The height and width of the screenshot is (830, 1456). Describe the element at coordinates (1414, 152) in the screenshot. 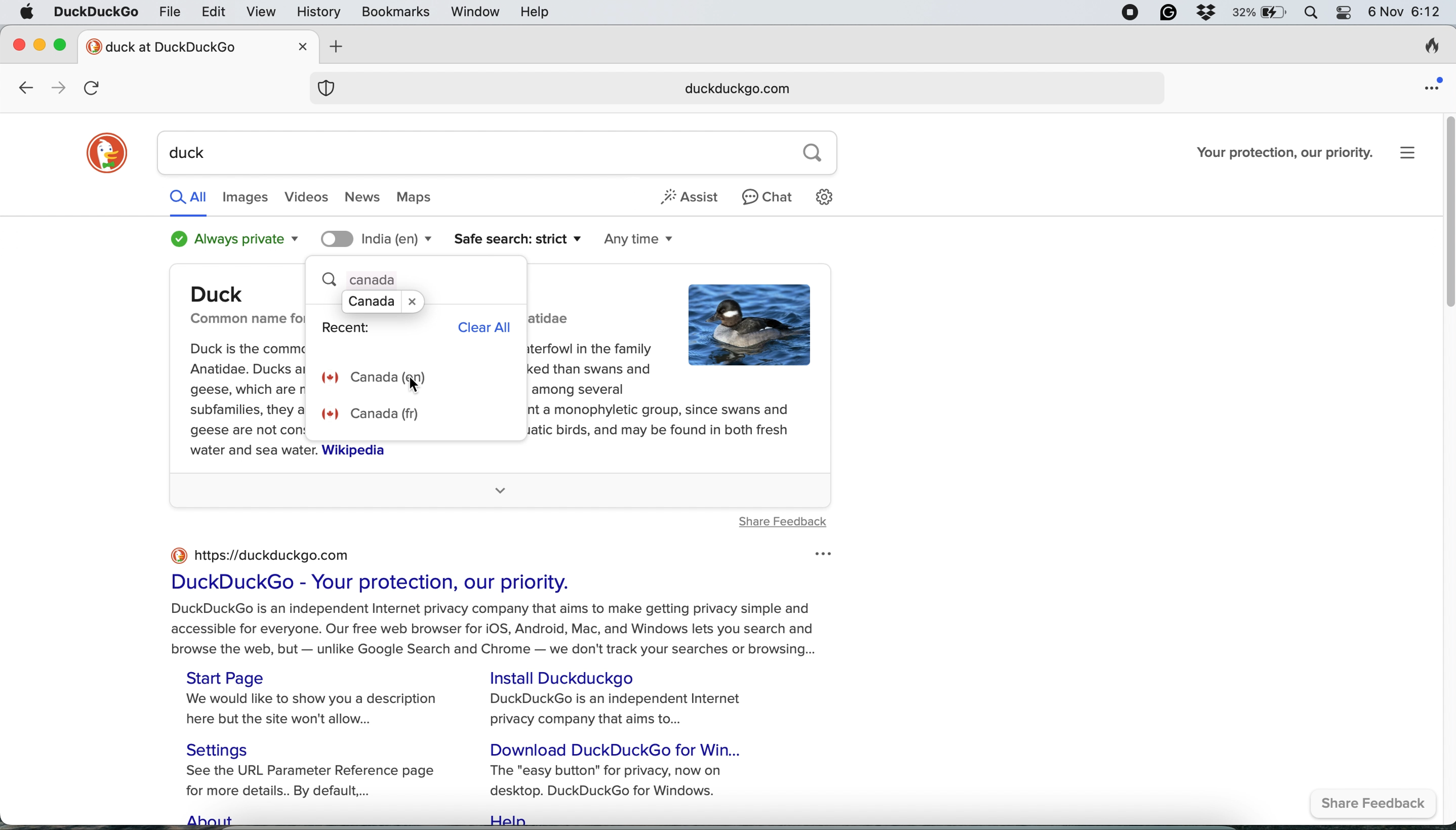

I see `settings` at that location.